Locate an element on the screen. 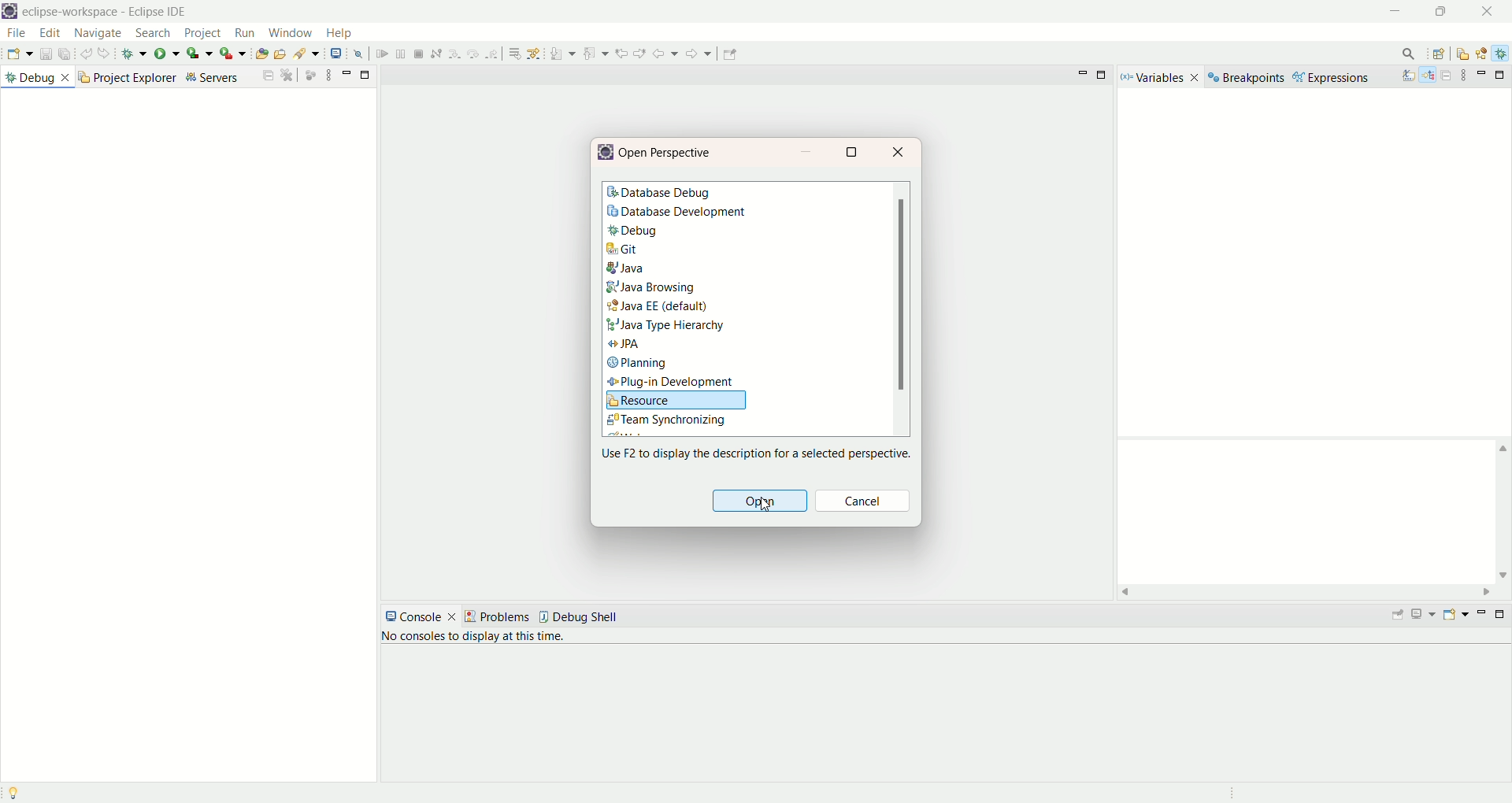 The height and width of the screenshot is (803, 1512). create a new Java servlet is located at coordinates (302, 54).